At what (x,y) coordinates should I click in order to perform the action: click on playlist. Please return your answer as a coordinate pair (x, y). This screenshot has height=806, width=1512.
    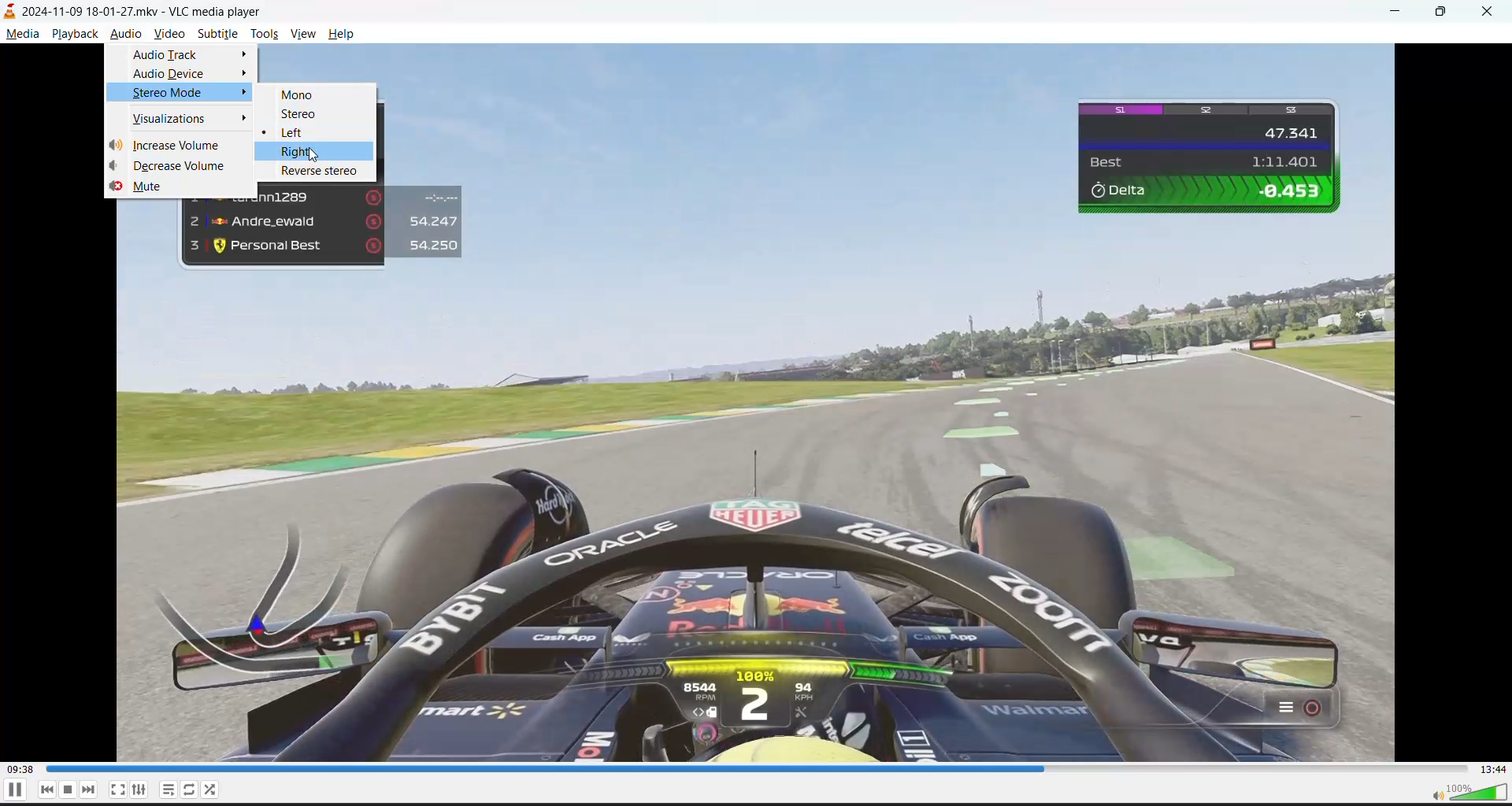
    Looking at the image, I should click on (166, 789).